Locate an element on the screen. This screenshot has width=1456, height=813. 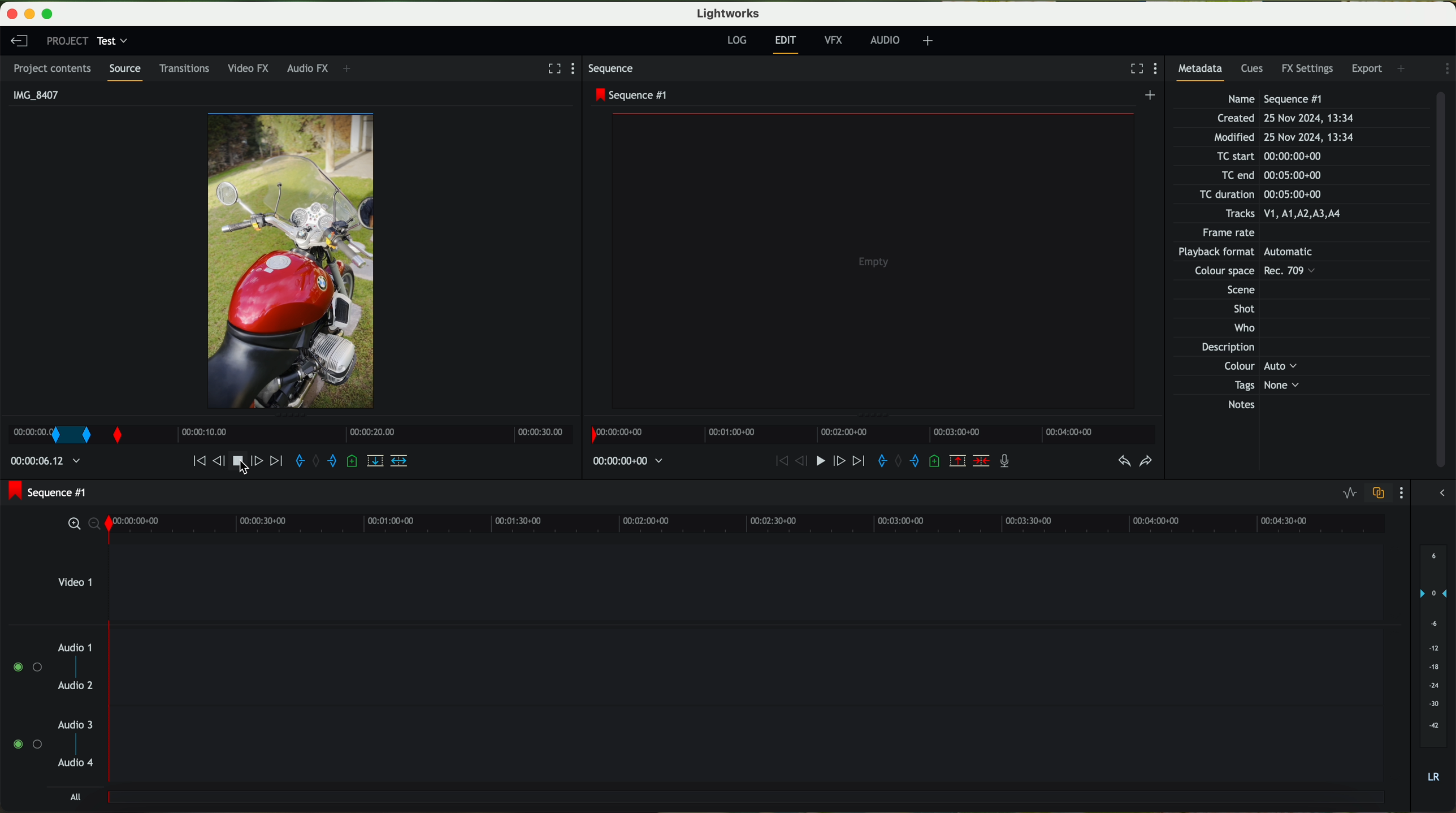
cues is located at coordinates (1254, 70).